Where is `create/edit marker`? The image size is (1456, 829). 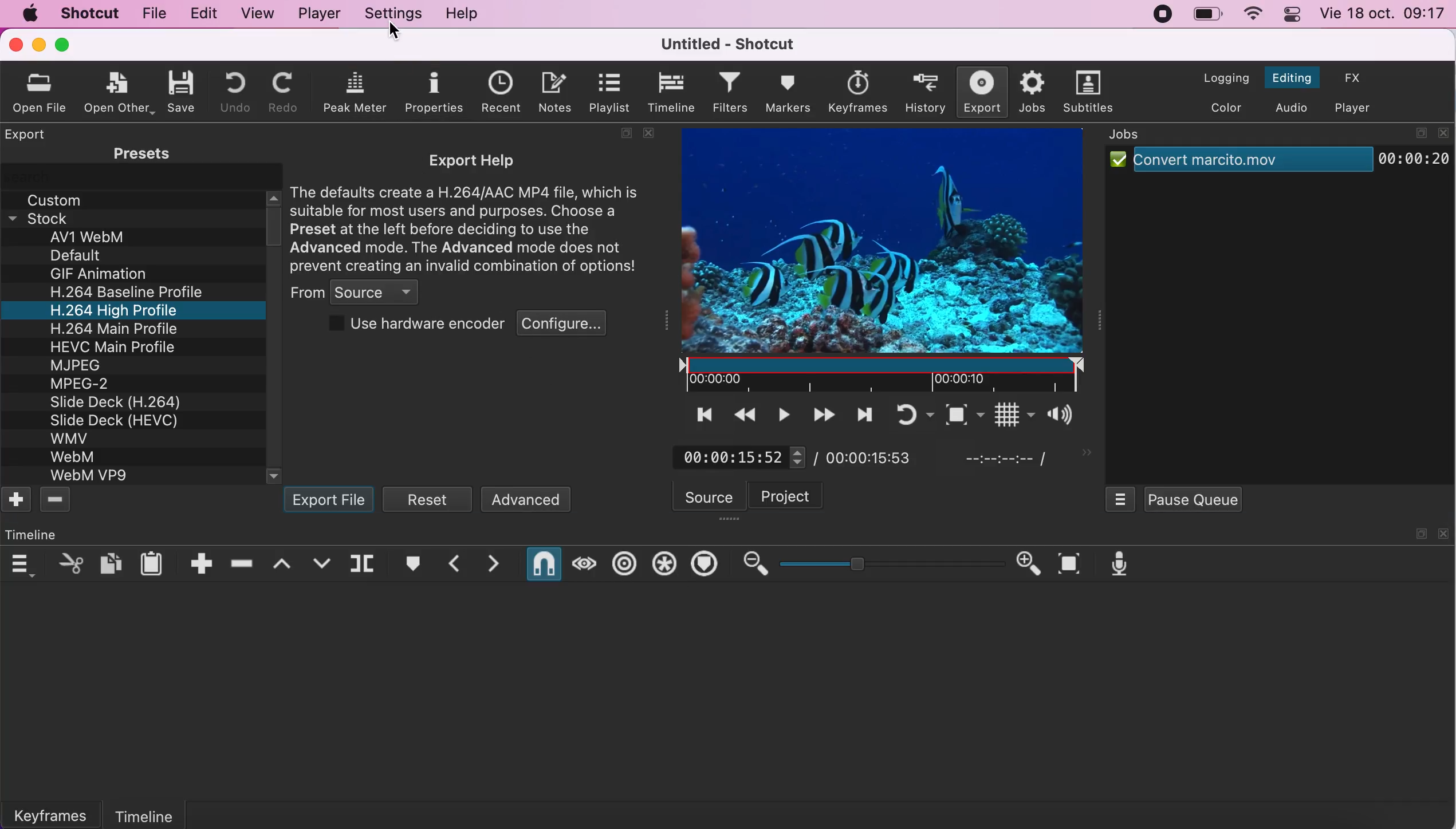
create/edit marker is located at coordinates (411, 566).